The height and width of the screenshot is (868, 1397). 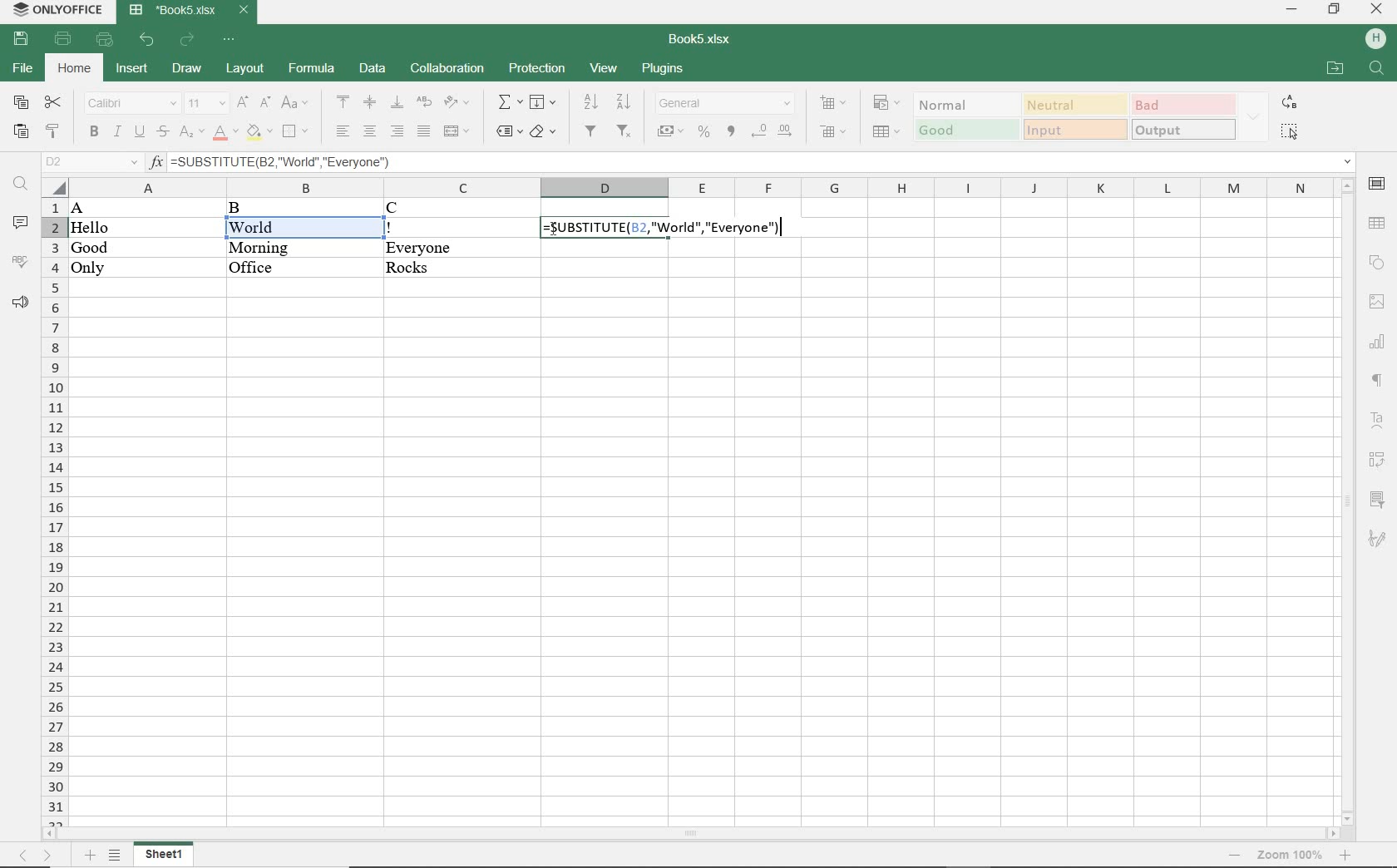 What do you see at coordinates (185, 70) in the screenshot?
I see `draw` at bounding box center [185, 70].